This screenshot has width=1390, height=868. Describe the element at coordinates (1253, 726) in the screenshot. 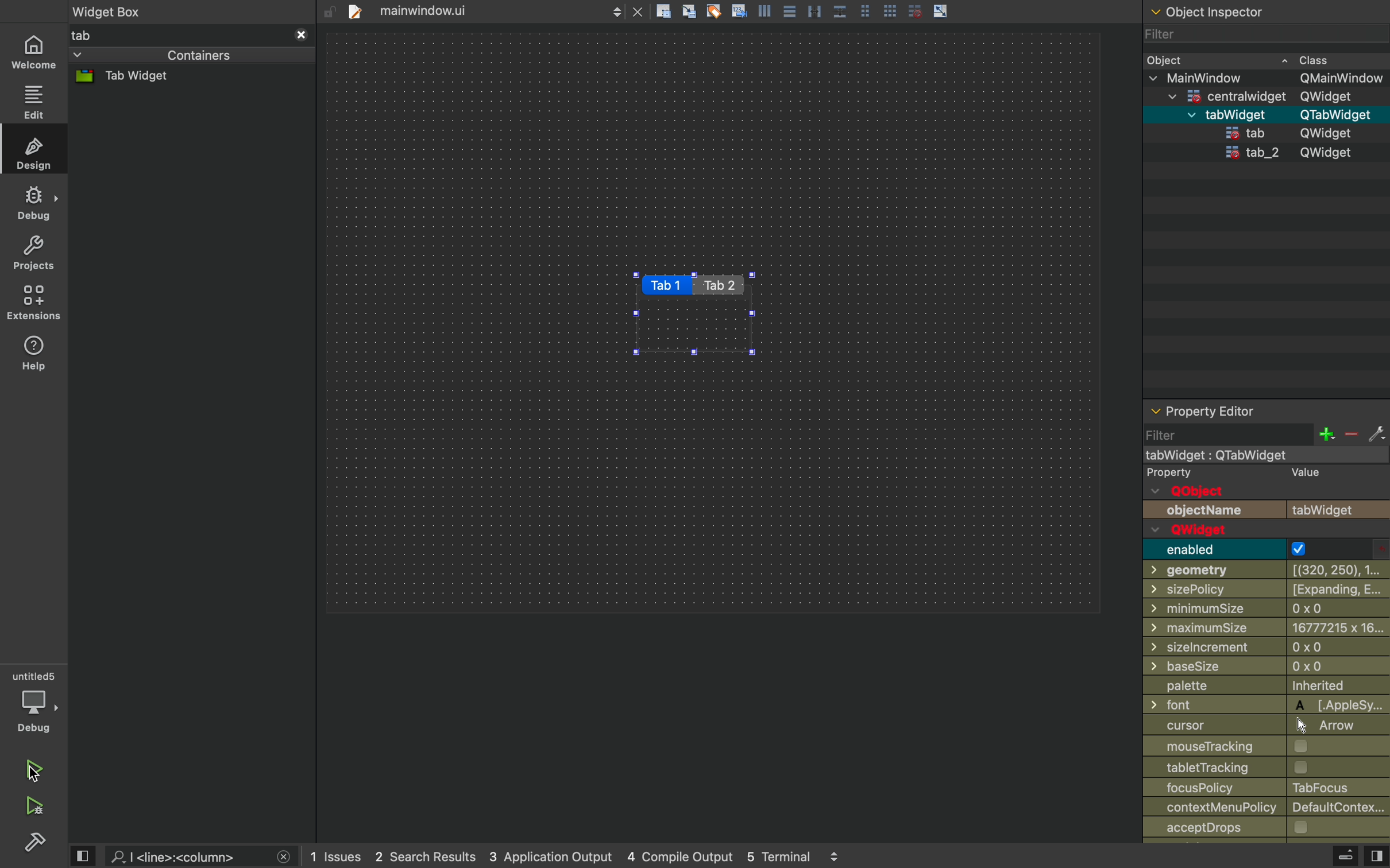

I see `cursor` at that location.